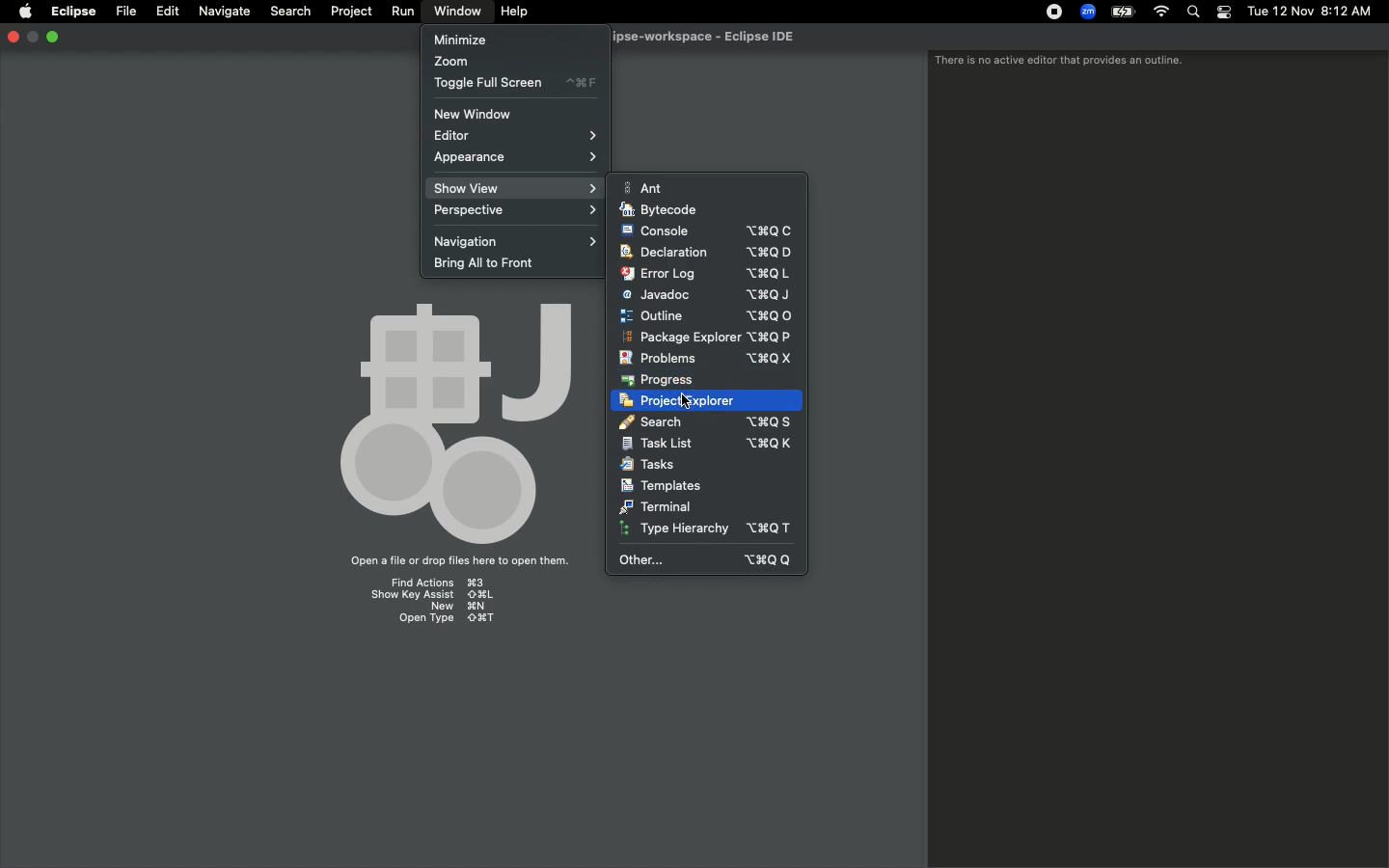 The height and width of the screenshot is (868, 1389). What do you see at coordinates (1085, 12) in the screenshot?
I see `Zoom` at bounding box center [1085, 12].